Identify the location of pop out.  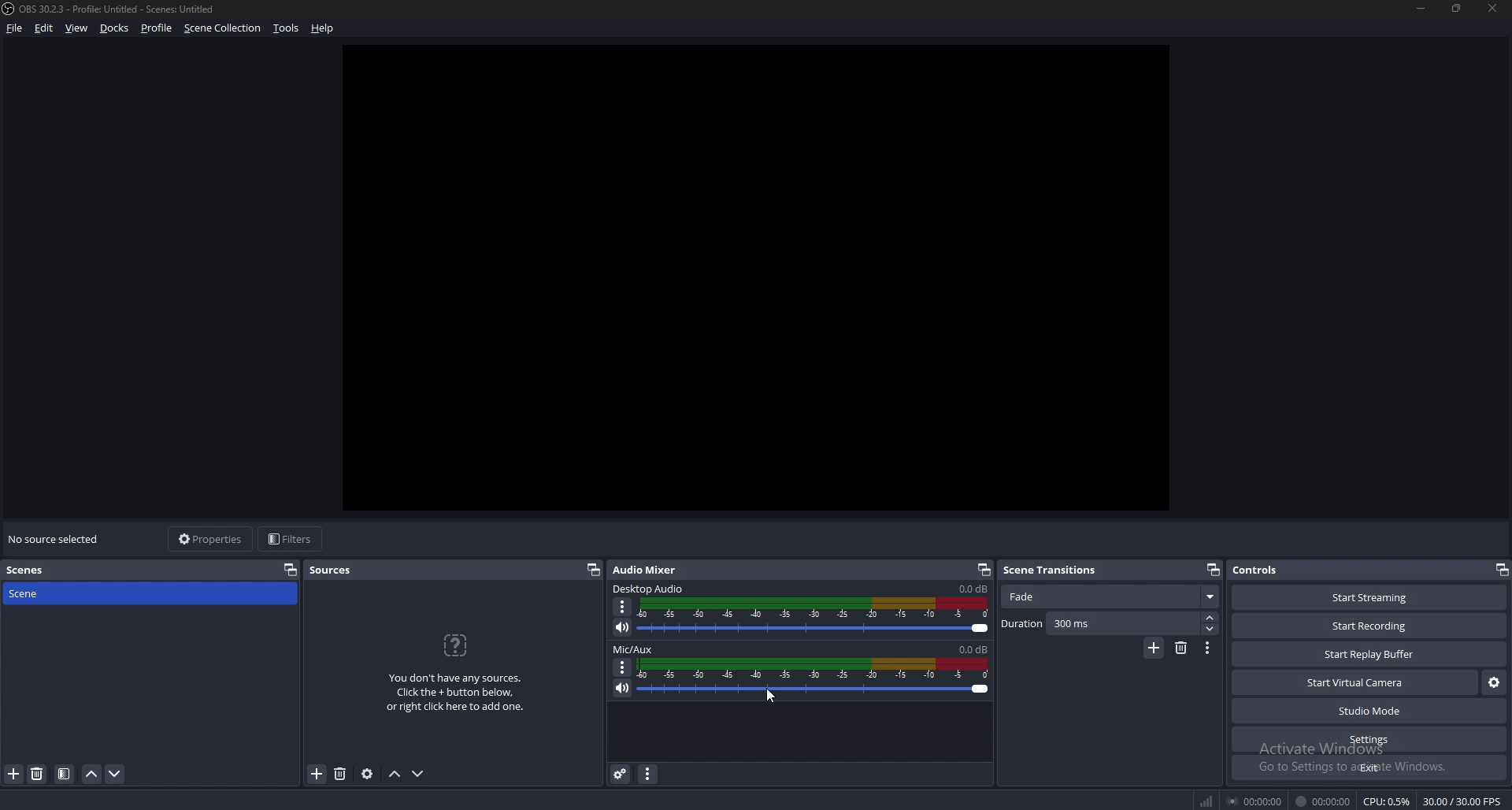
(595, 570).